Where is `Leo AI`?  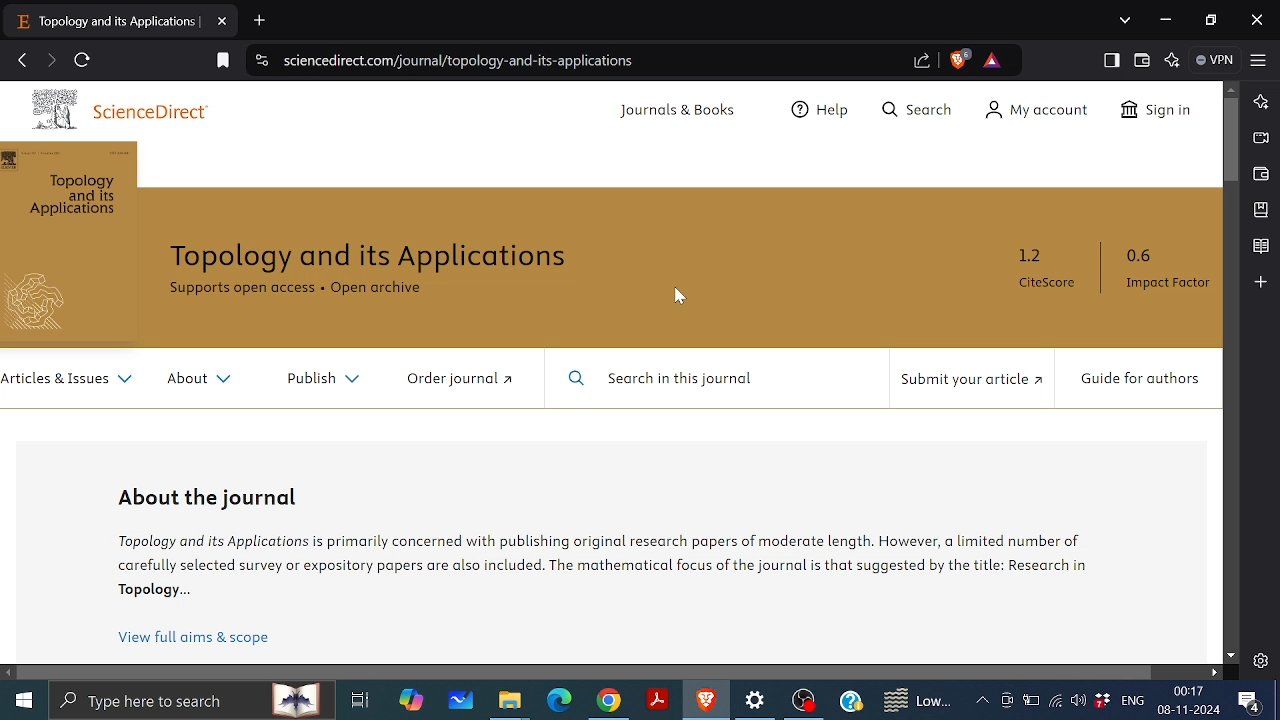
Leo AI is located at coordinates (1172, 60).